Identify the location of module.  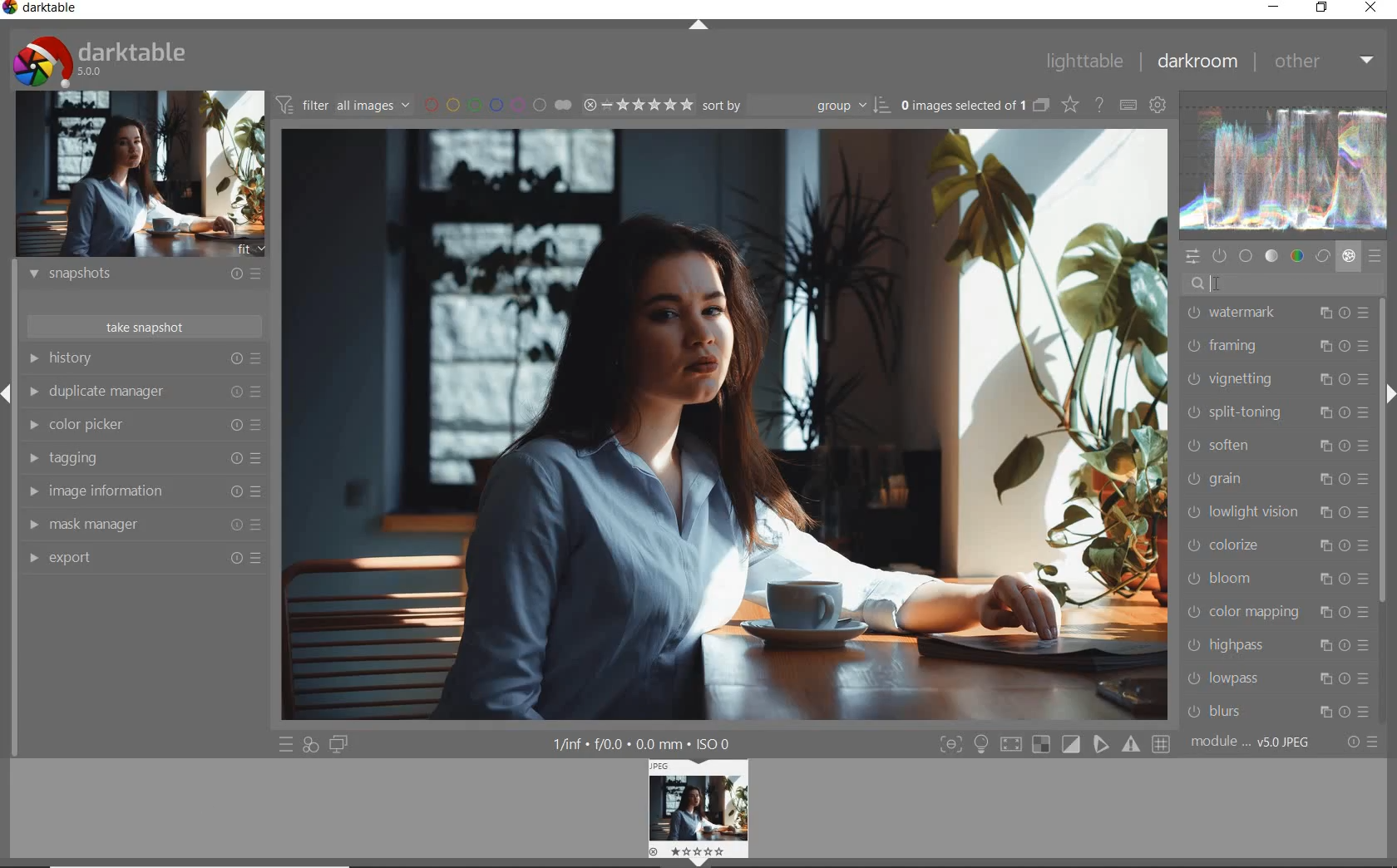
(1253, 744).